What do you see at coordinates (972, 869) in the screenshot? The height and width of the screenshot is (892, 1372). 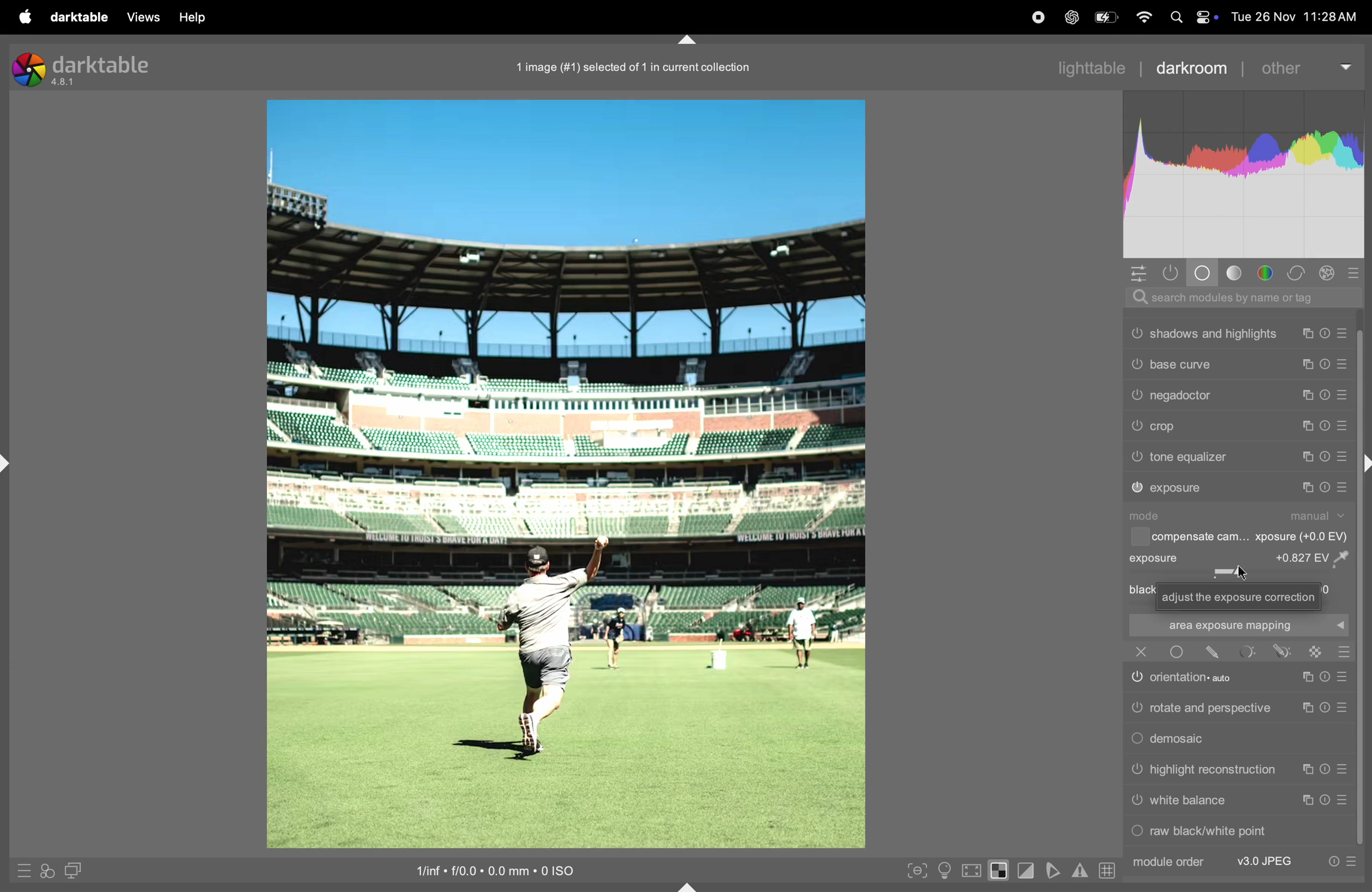 I see `toggle high qualiry processing` at bounding box center [972, 869].